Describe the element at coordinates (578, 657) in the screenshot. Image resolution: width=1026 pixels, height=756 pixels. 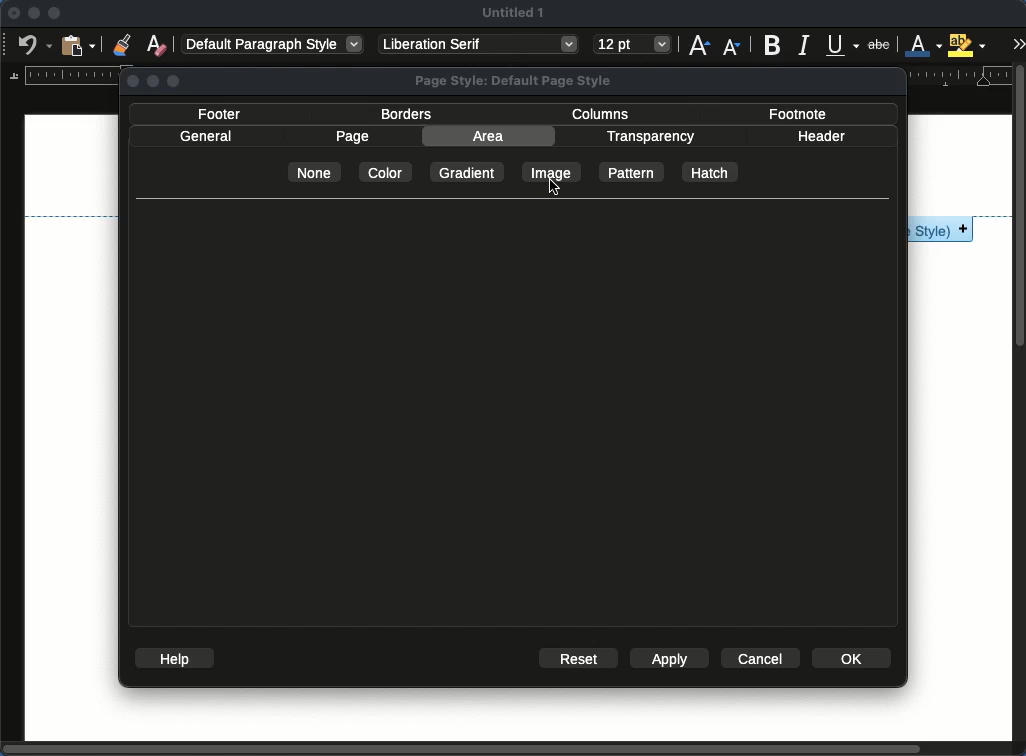
I see `reset` at that location.